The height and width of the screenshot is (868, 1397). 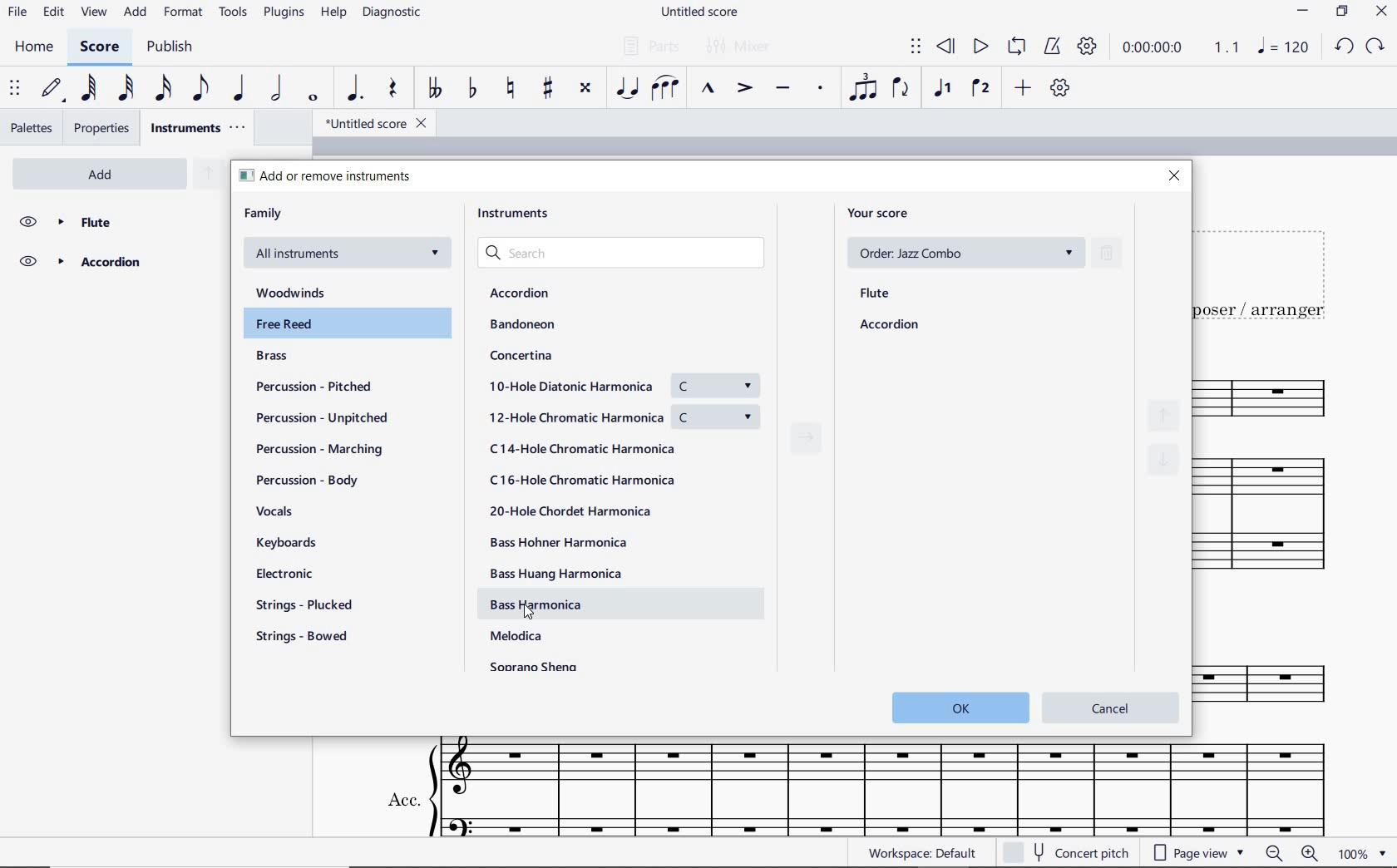 What do you see at coordinates (292, 575) in the screenshot?
I see `electronic` at bounding box center [292, 575].